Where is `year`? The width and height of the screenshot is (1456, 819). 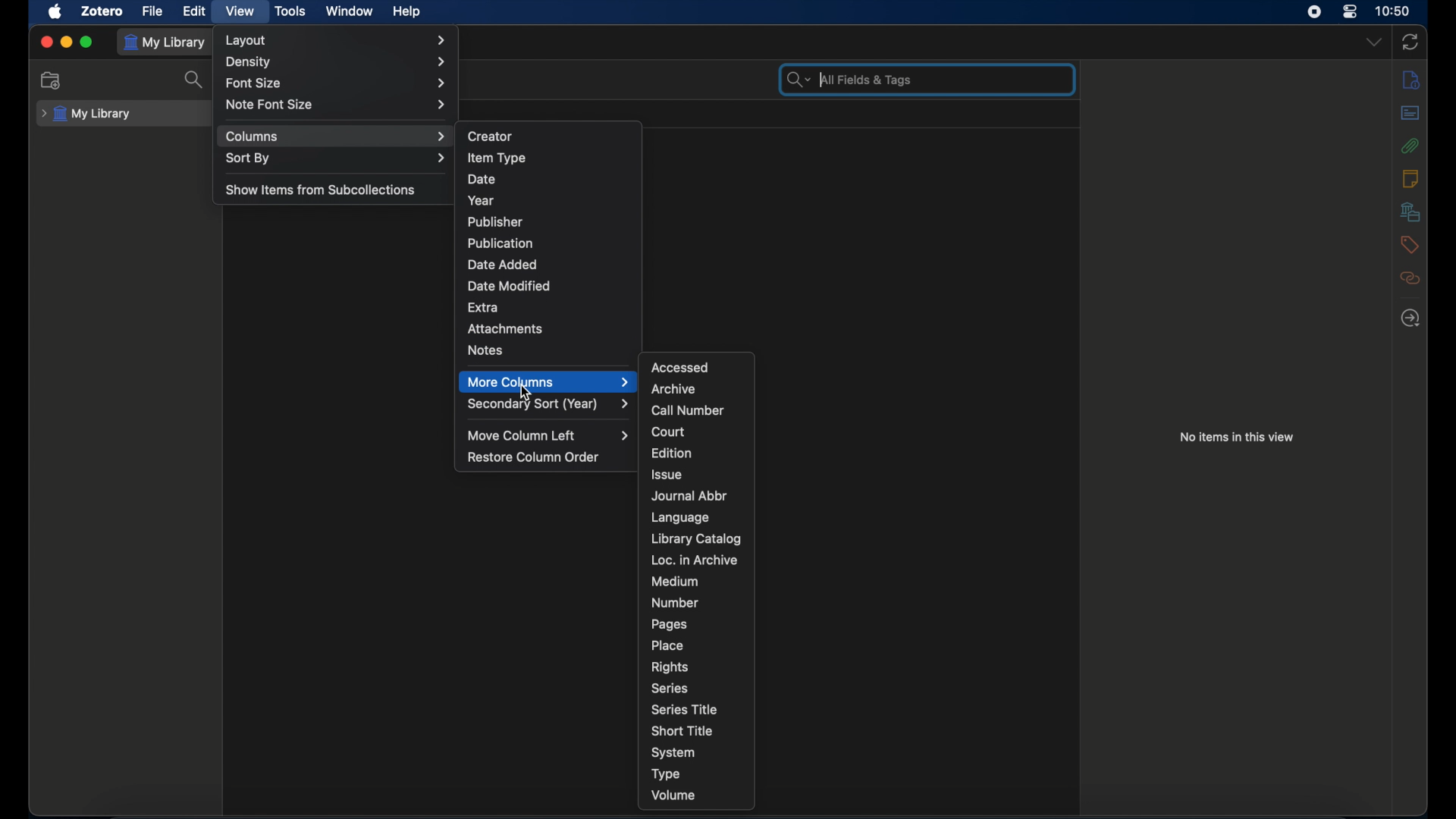
year is located at coordinates (483, 200).